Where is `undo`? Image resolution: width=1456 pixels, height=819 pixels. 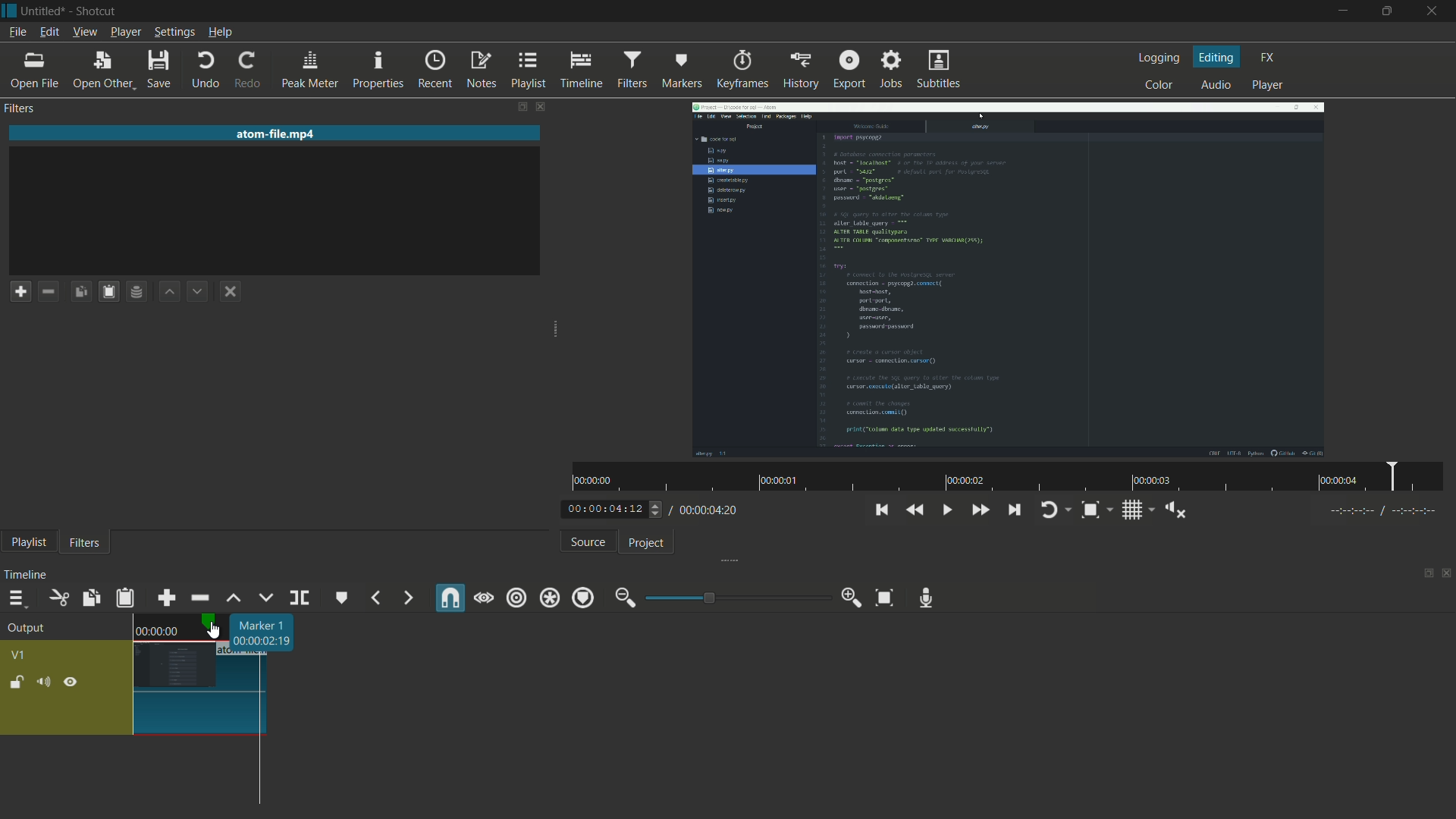
undo is located at coordinates (206, 70).